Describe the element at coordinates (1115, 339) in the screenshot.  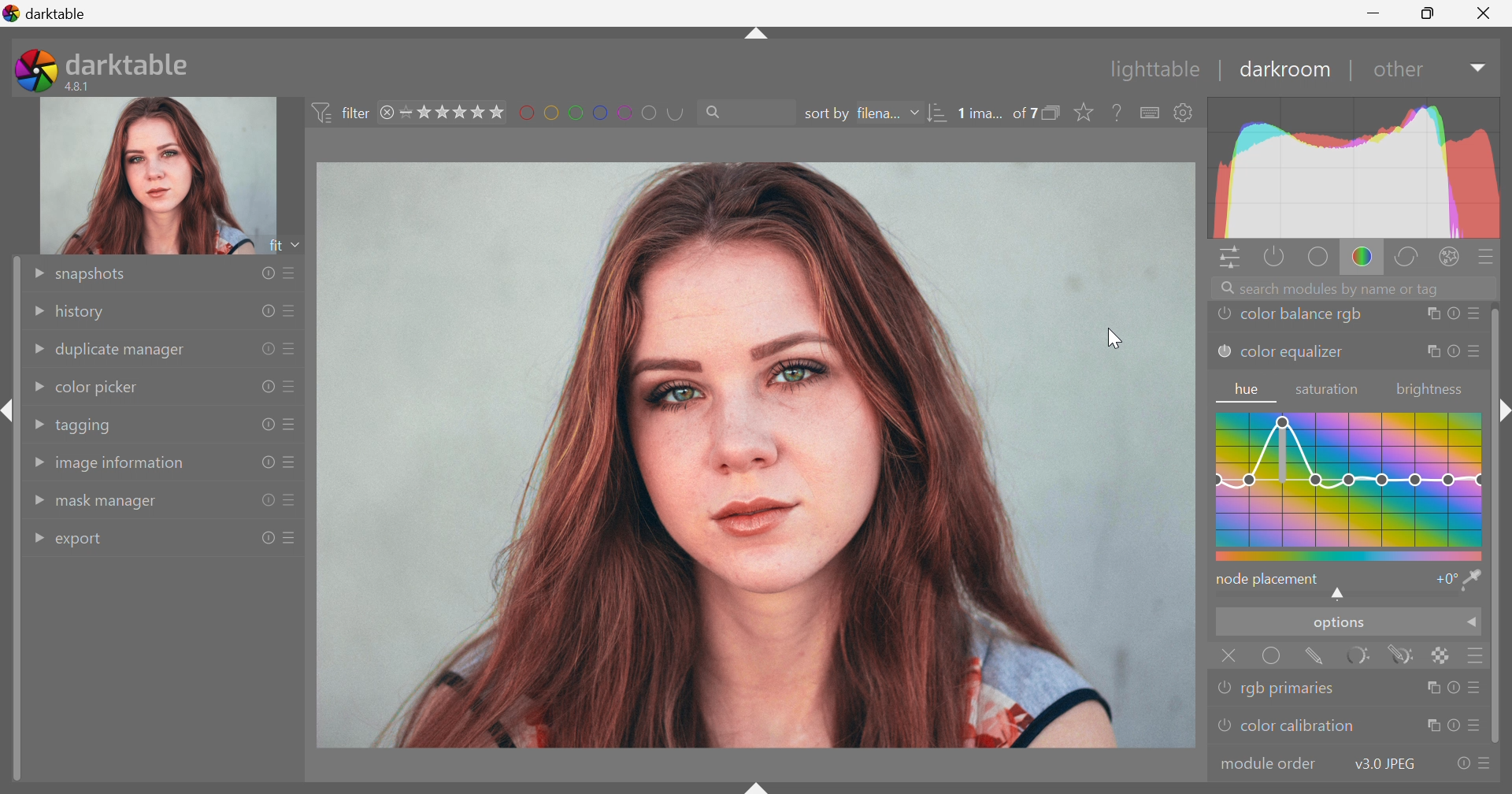
I see `cursor` at that location.